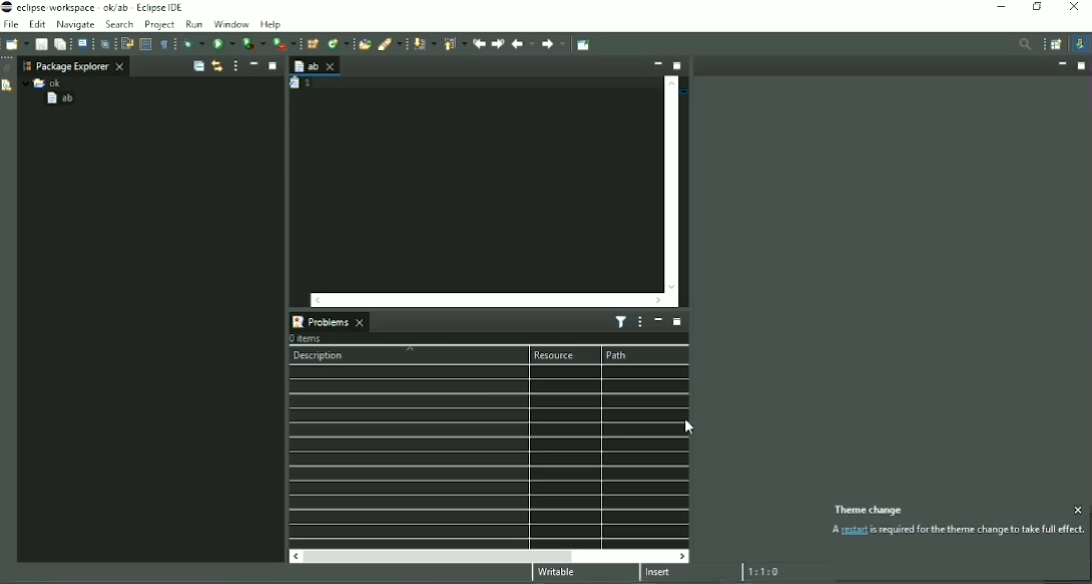 The width and height of the screenshot is (1092, 584). I want to click on Link with Editor, so click(217, 66).